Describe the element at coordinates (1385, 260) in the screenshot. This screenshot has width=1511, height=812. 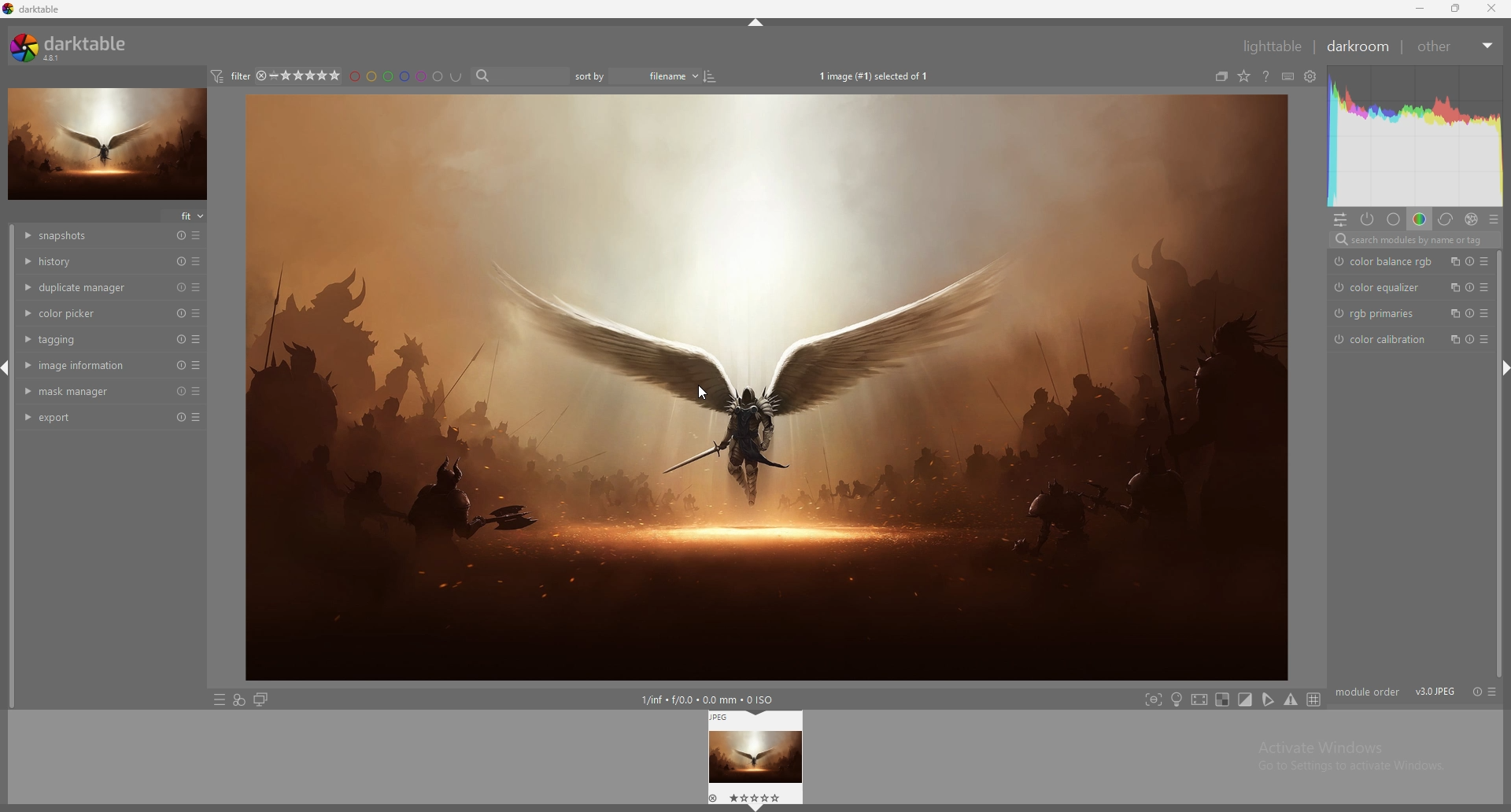
I see `color balance rgb` at that location.